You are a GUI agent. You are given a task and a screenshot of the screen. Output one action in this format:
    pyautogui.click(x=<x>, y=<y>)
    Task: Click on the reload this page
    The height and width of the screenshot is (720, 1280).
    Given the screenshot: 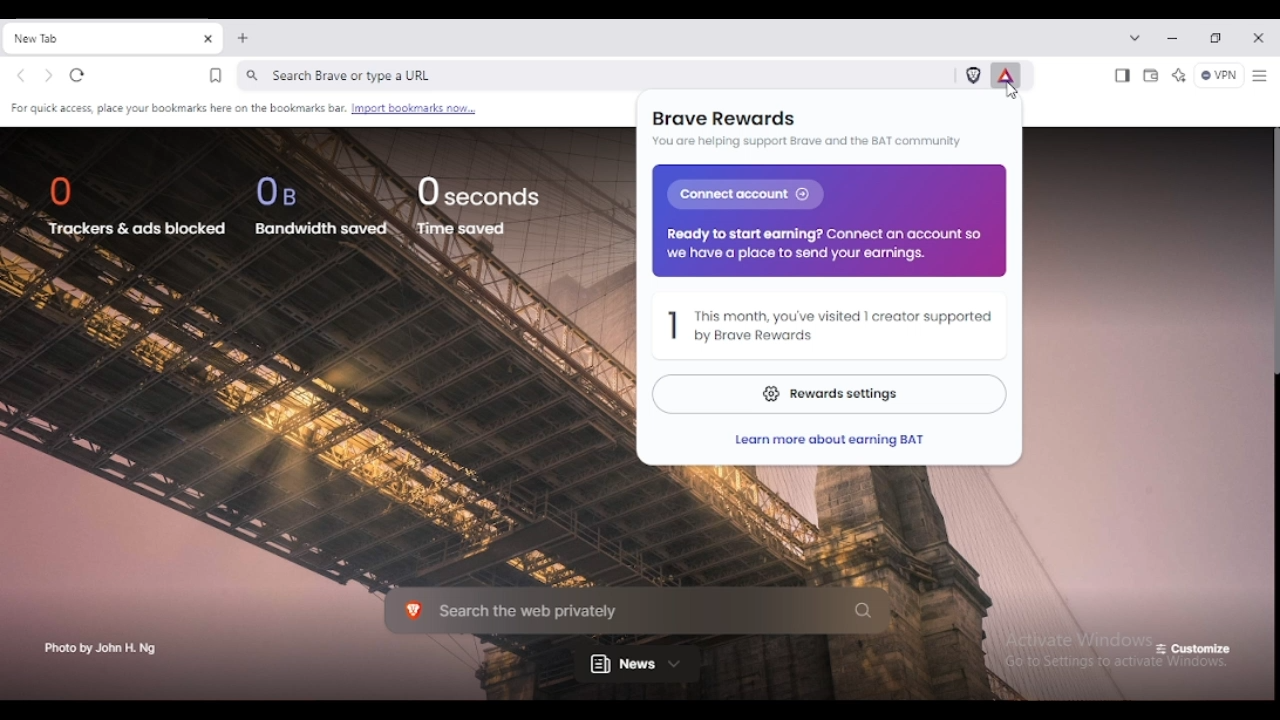 What is the action you would take?
    pyautogui.click(x=77, y=76)
    